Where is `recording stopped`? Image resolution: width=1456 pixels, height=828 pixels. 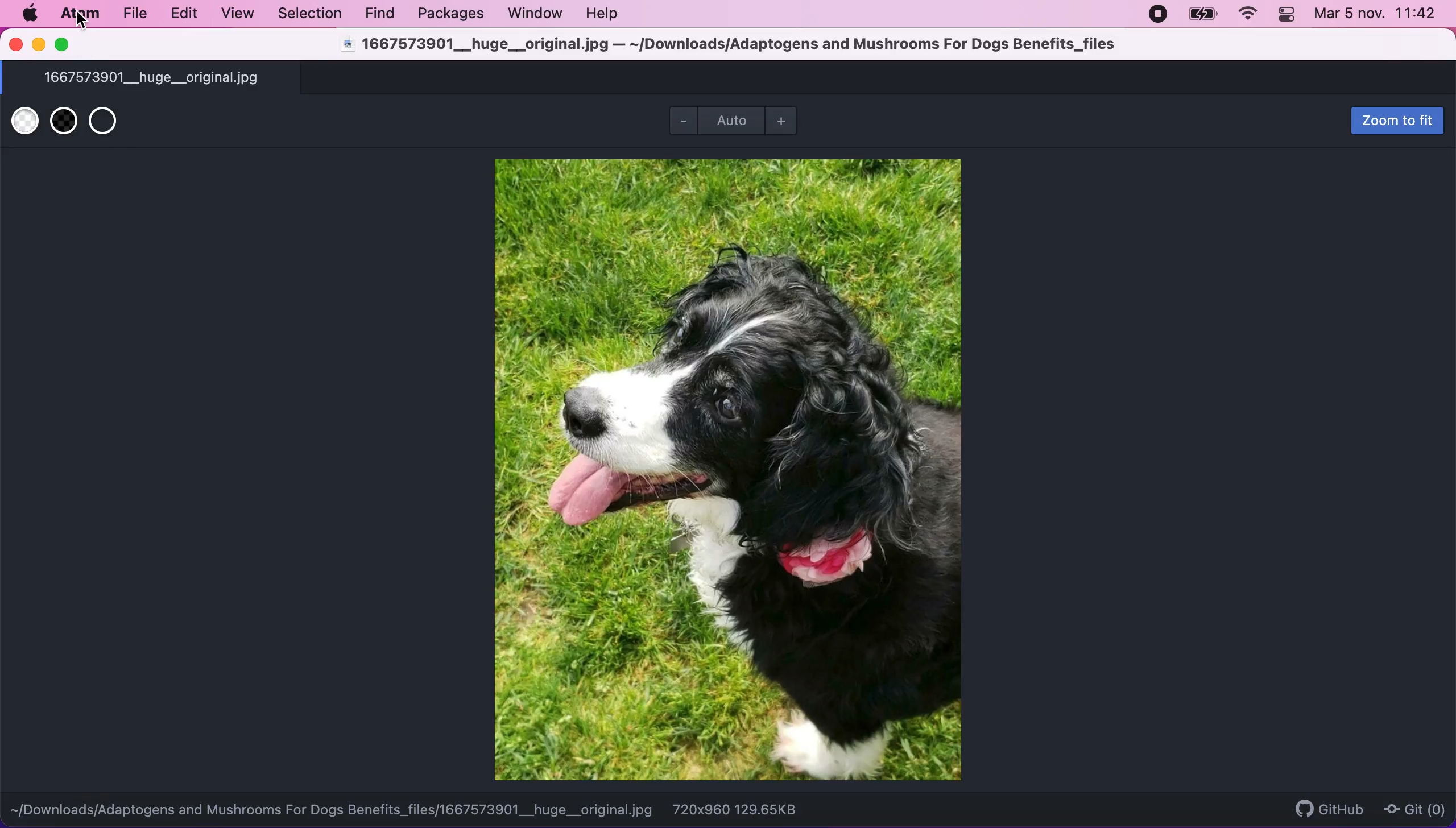 recording stopped is located at coordinates (1159, 15).